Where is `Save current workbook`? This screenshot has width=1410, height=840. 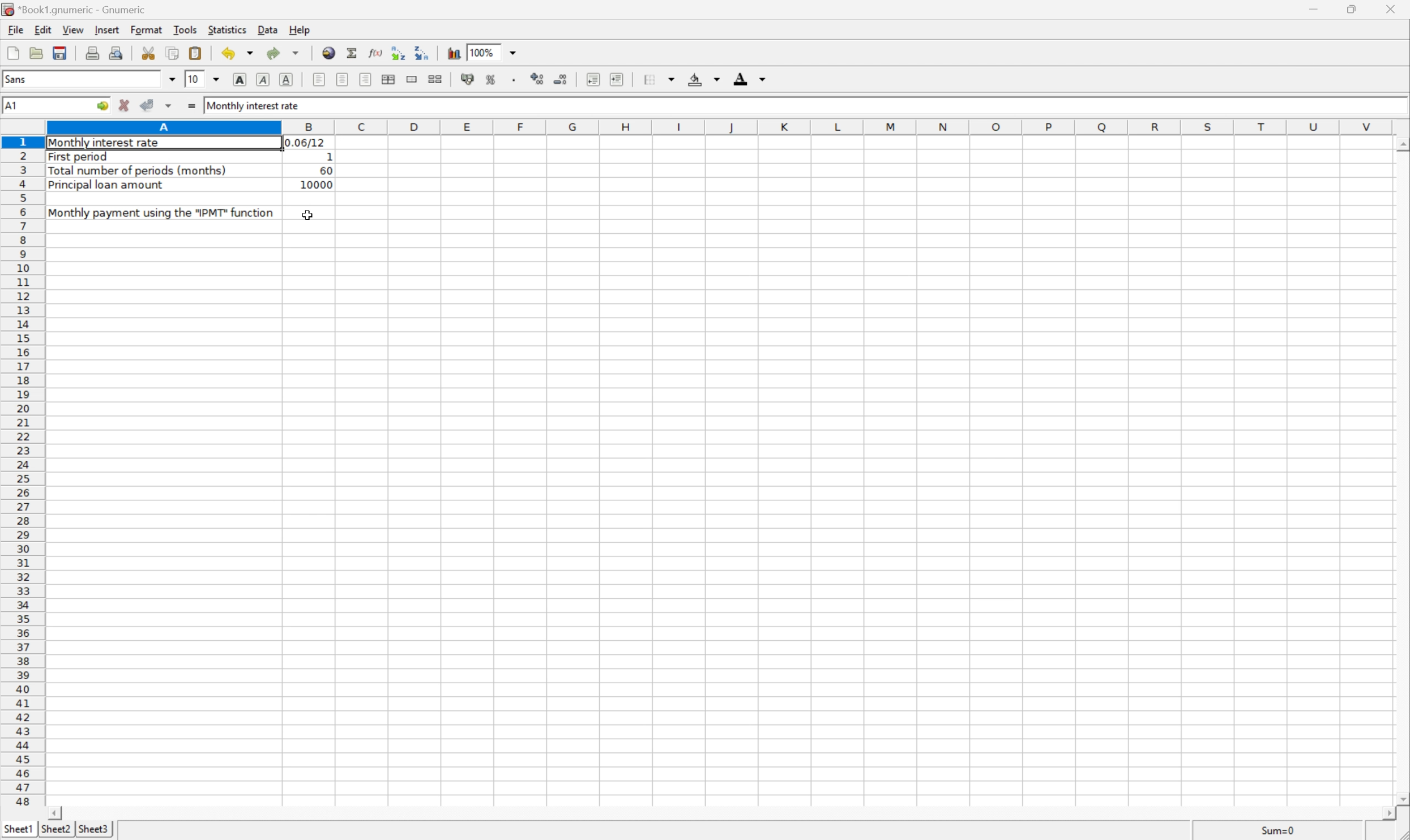
Save current workbook is located at coordinates (65, 52).